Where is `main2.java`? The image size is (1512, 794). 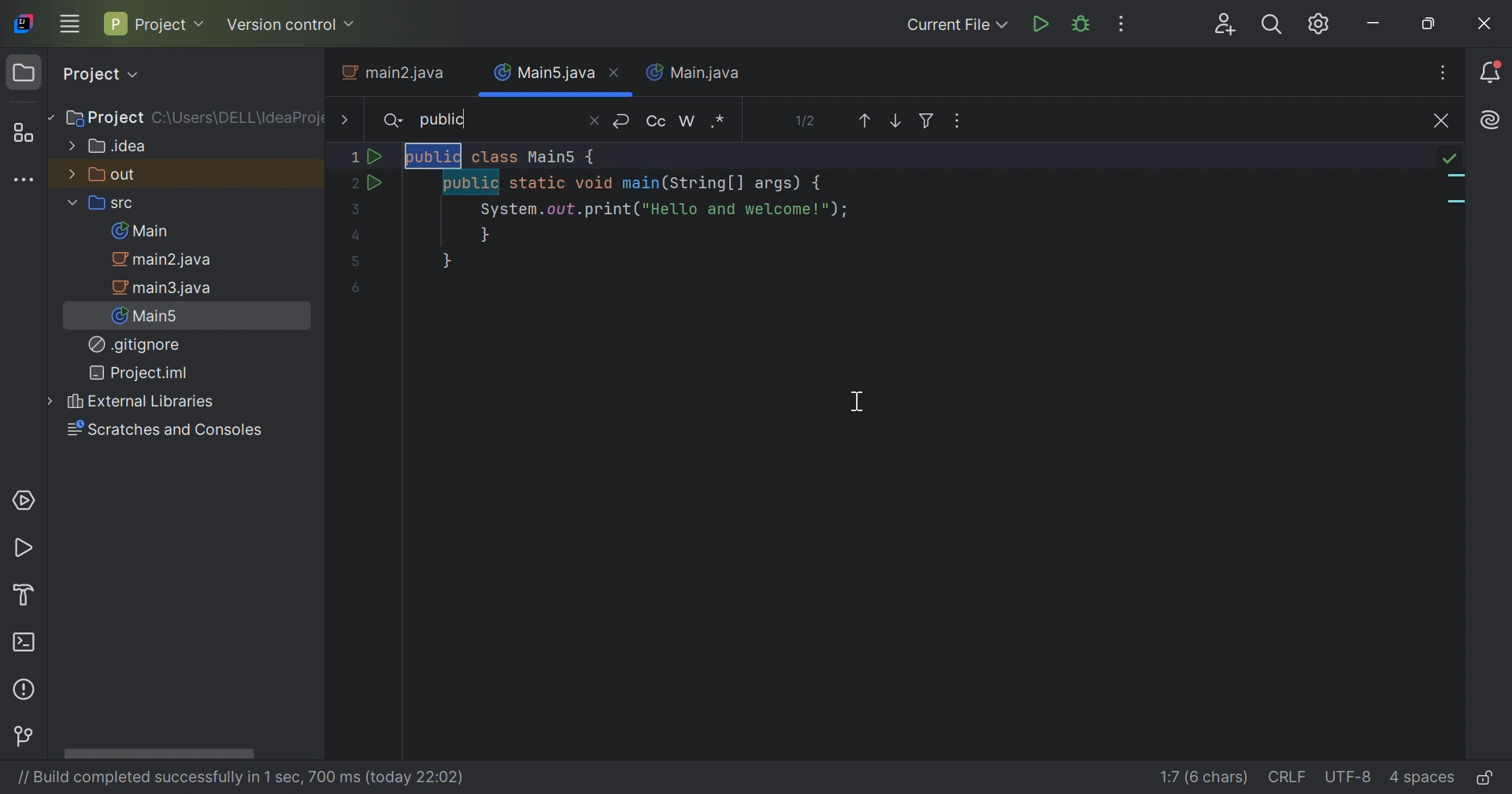
main2.java is located at coordinates (397, 73).